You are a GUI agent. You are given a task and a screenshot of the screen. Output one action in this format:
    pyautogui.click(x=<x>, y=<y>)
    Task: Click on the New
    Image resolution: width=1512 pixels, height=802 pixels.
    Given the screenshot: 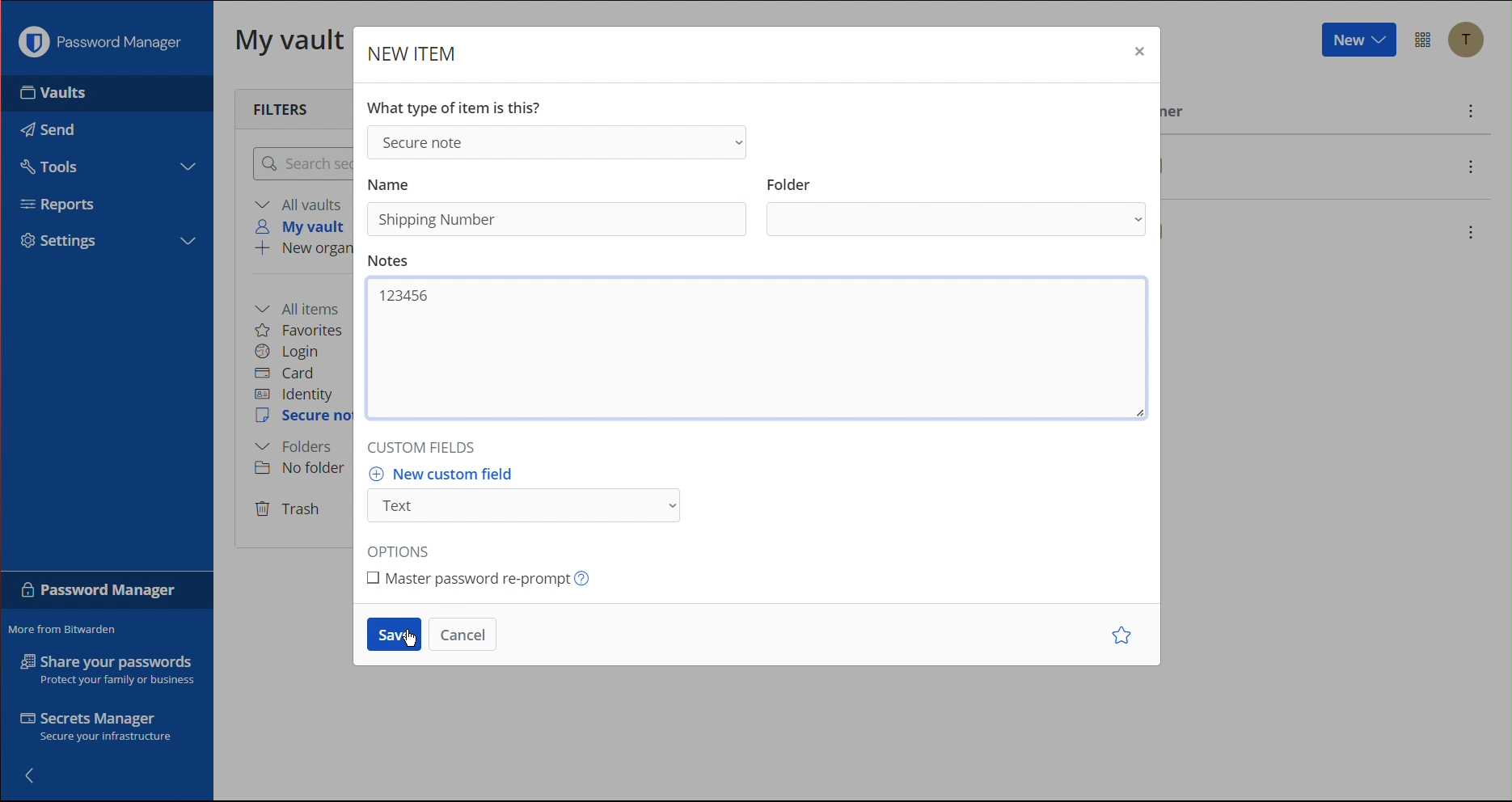 What is the action you would take?
    pyautogui.click(x=1358, y=42)
    